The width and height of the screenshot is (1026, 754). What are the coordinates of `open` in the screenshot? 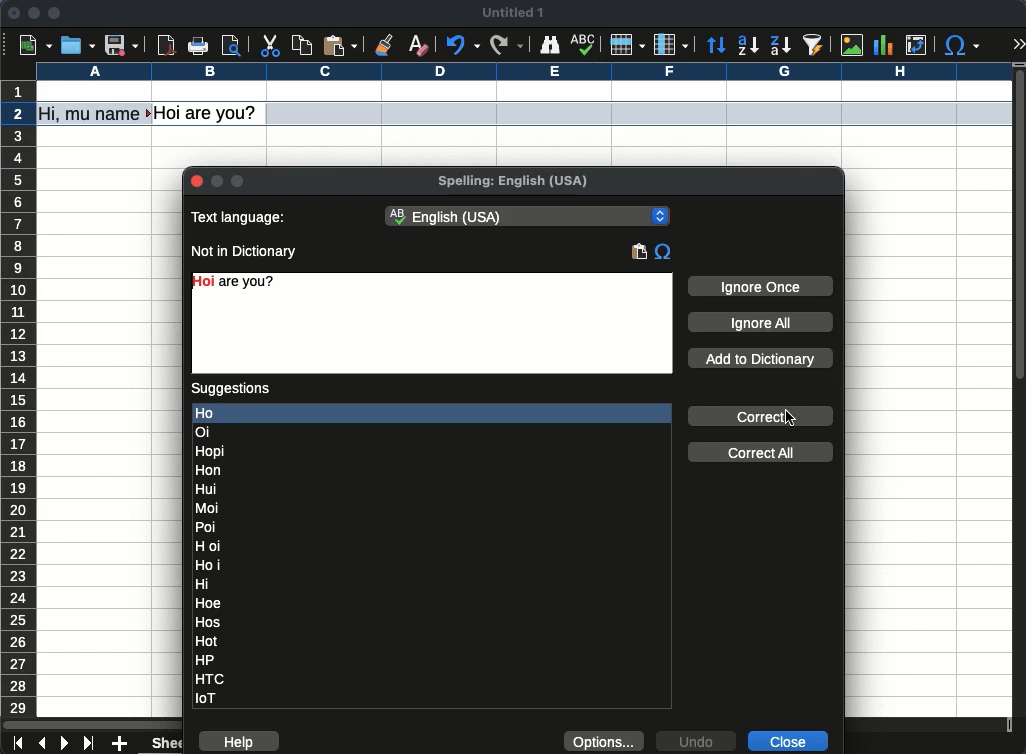 It's located at (76, 45).